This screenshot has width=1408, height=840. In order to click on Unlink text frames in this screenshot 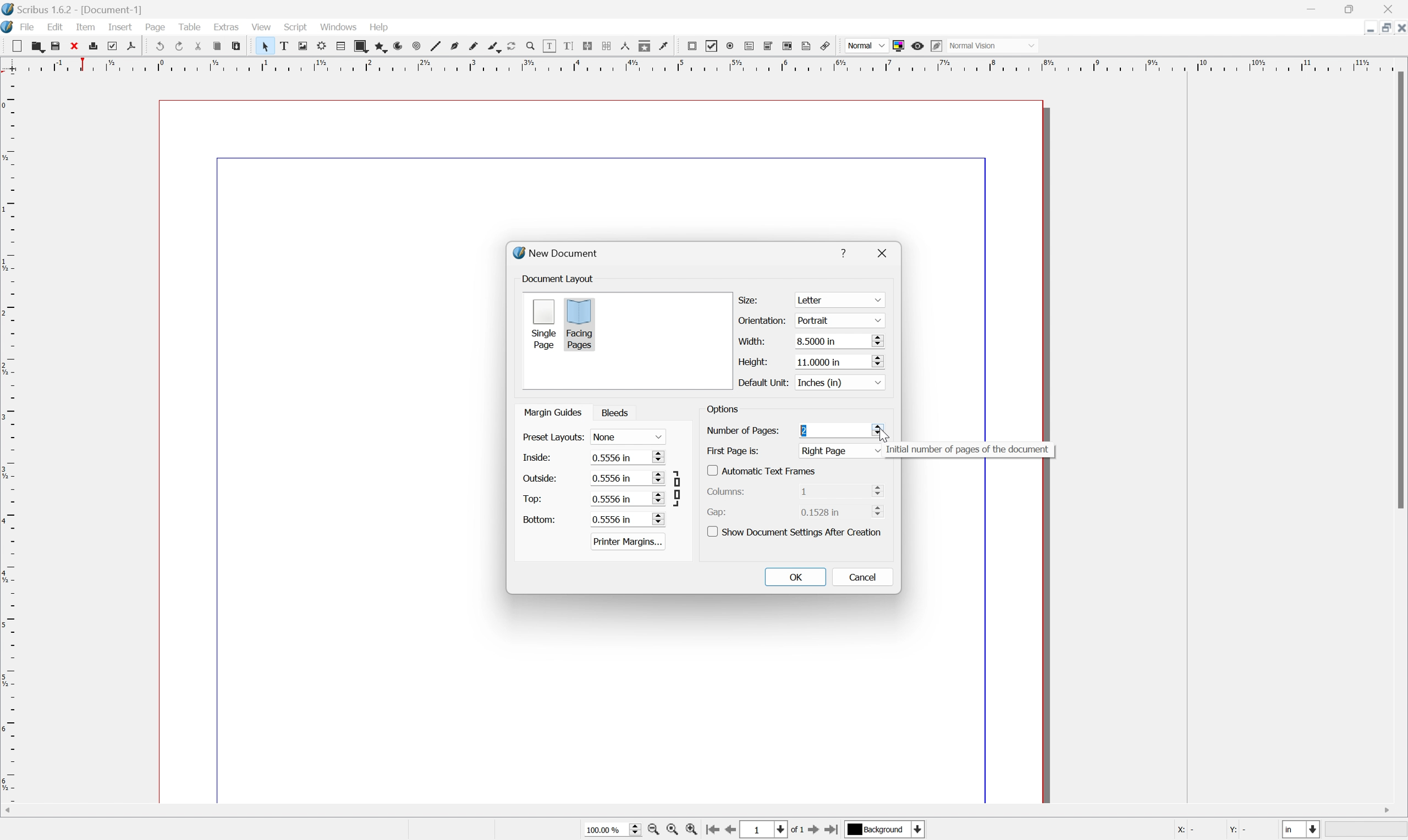, I will do `click(609, 47)`.